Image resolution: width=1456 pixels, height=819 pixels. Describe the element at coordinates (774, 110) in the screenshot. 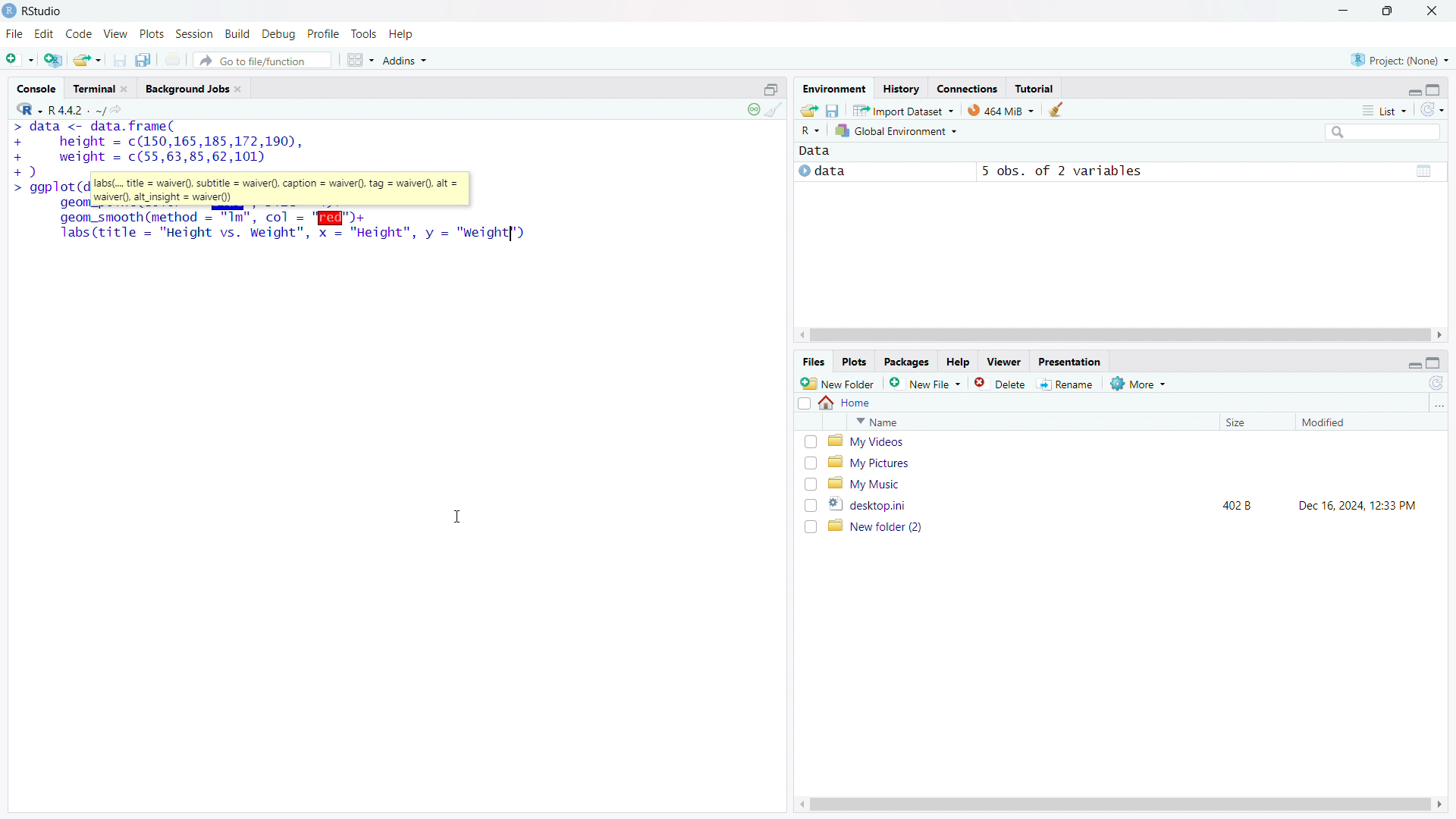

I see `clear console` at that location.